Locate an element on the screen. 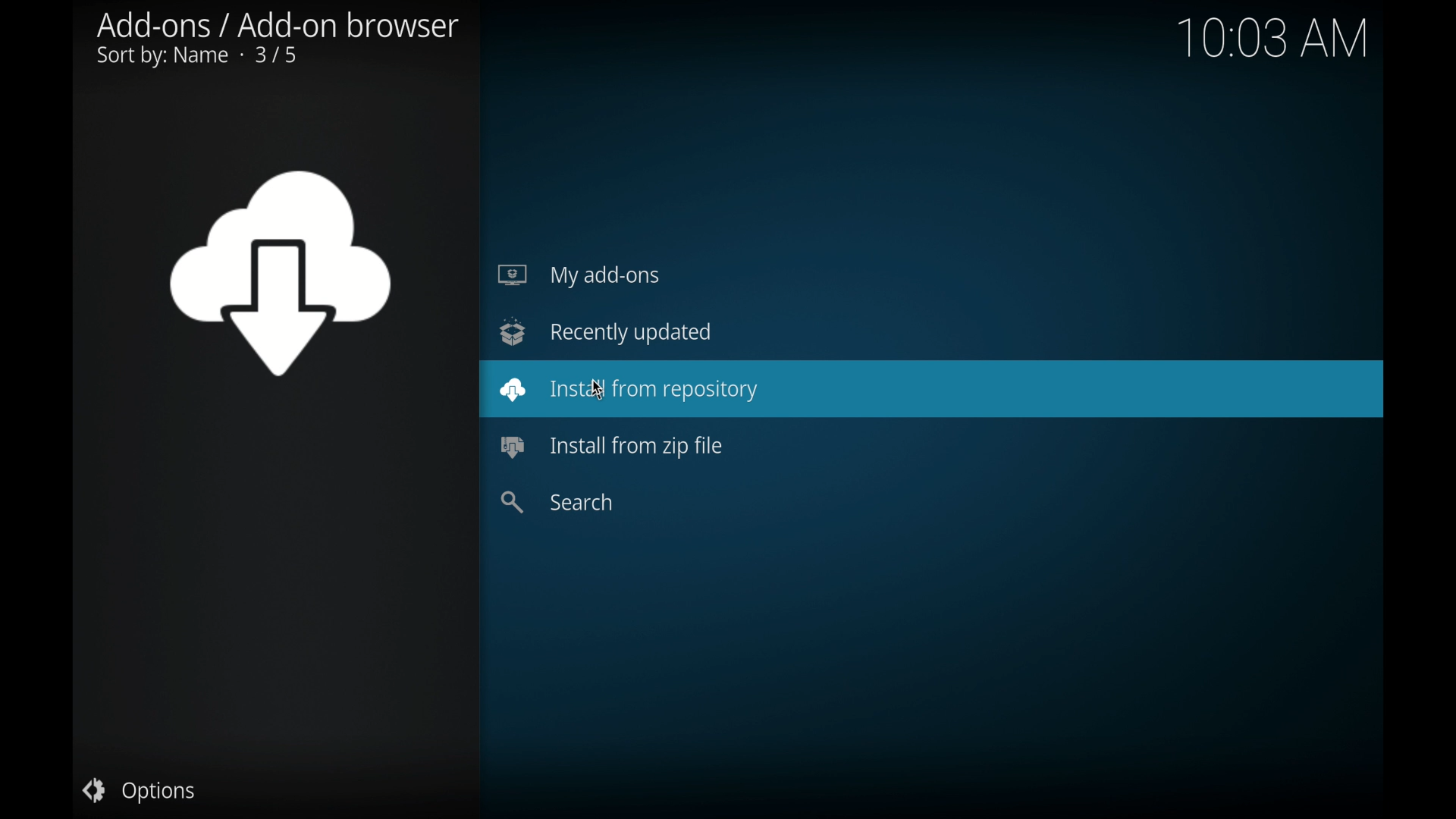 The height and width of the screenshot is (819, 1456). time is located at coordinates (1288, 42).